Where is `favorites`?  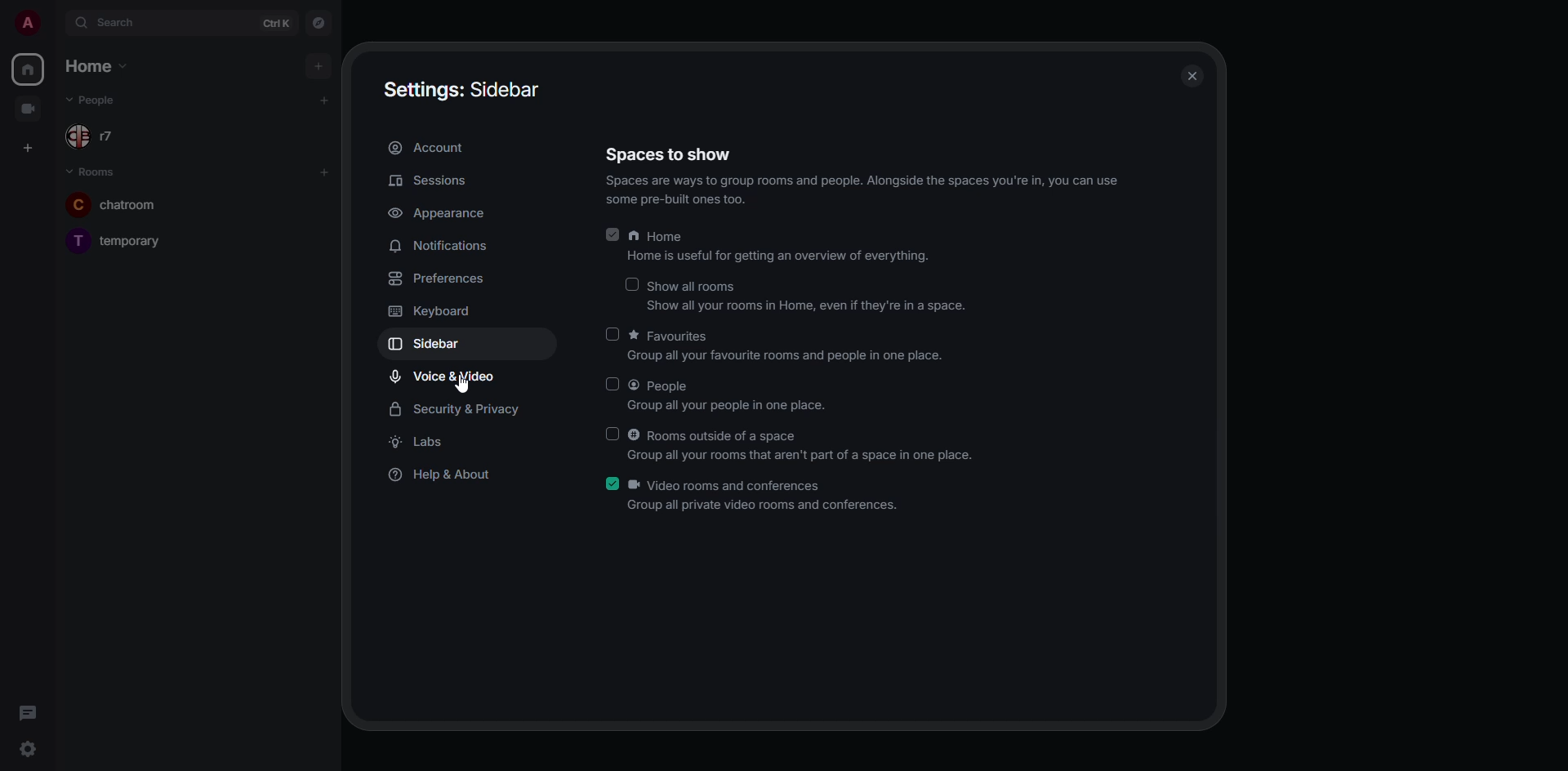
favorites is located at coordinates (790, 345).